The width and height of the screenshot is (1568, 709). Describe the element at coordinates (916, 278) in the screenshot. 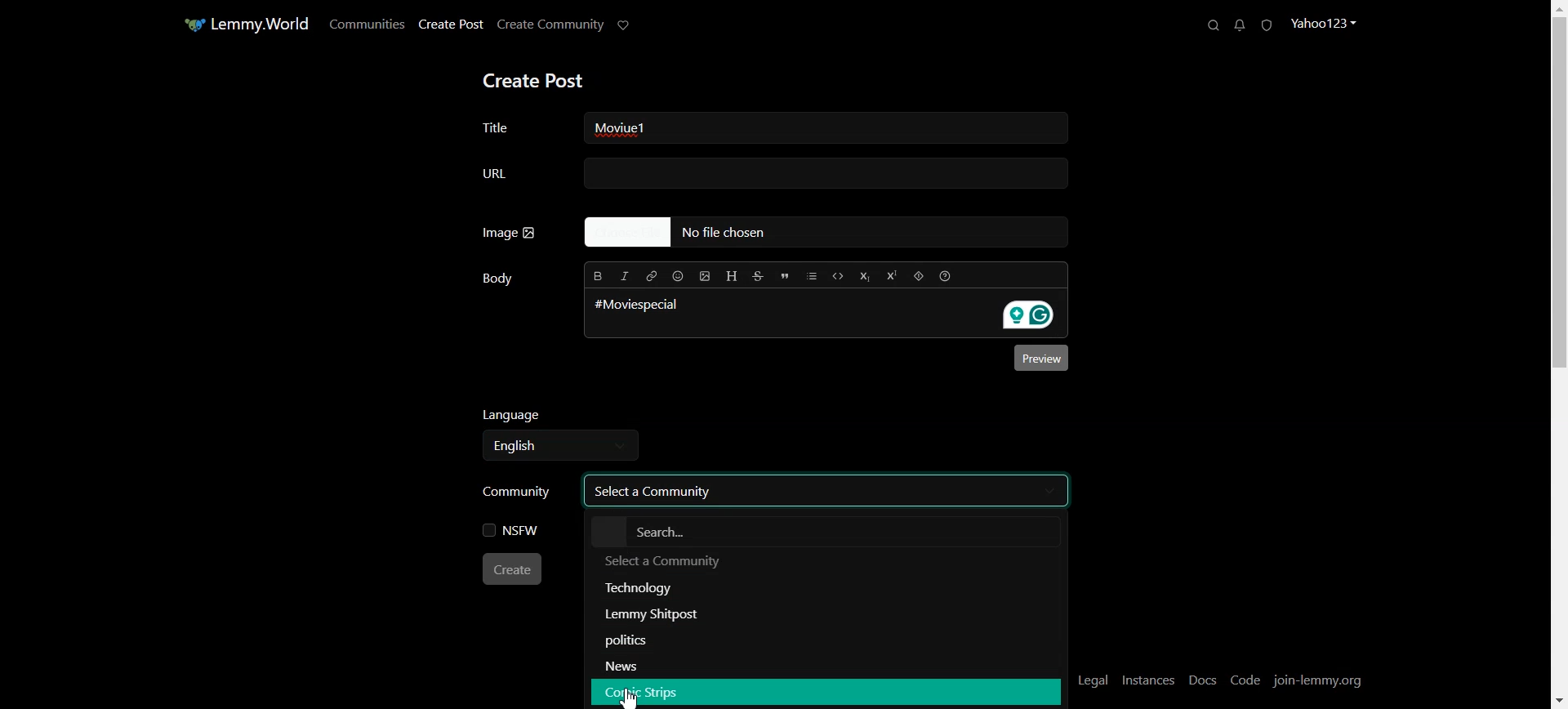

I see `Spoiler` at that location.